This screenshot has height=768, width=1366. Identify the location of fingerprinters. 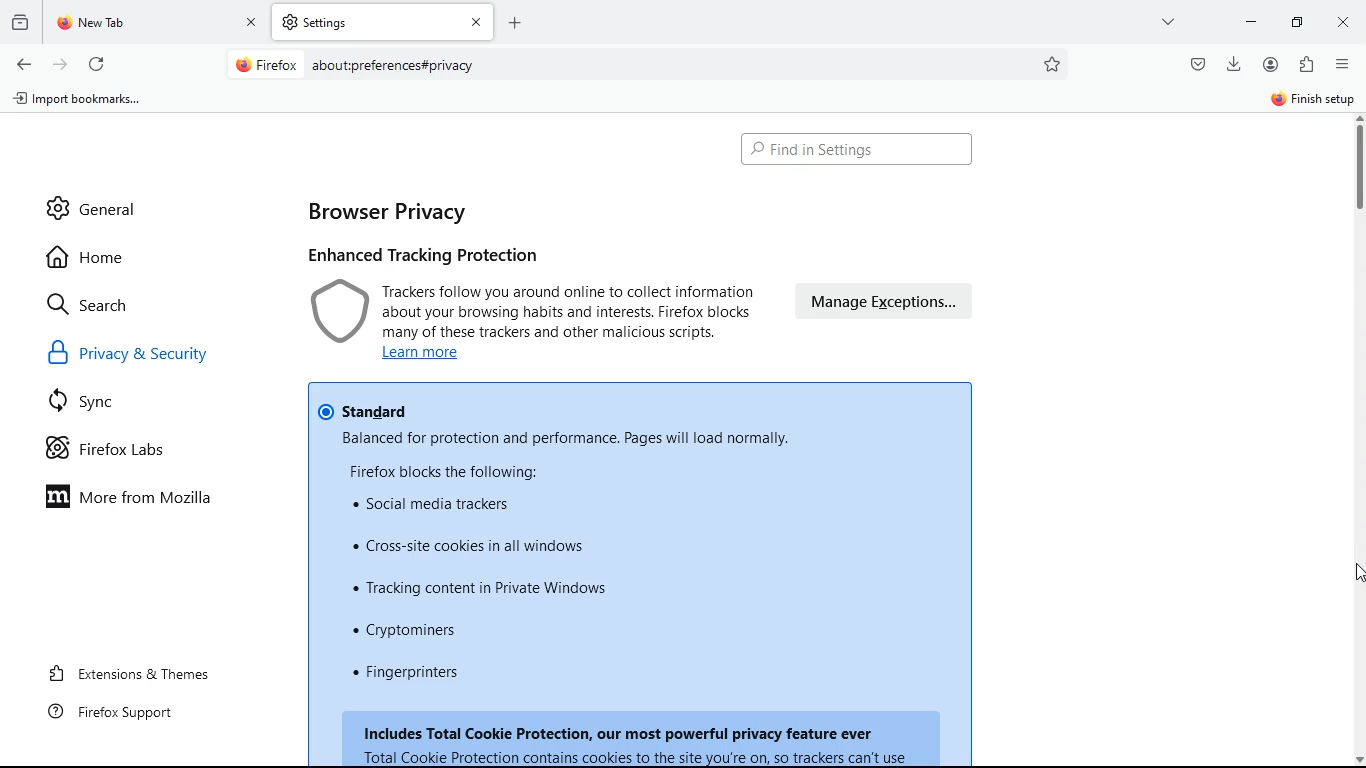
(412, 672).